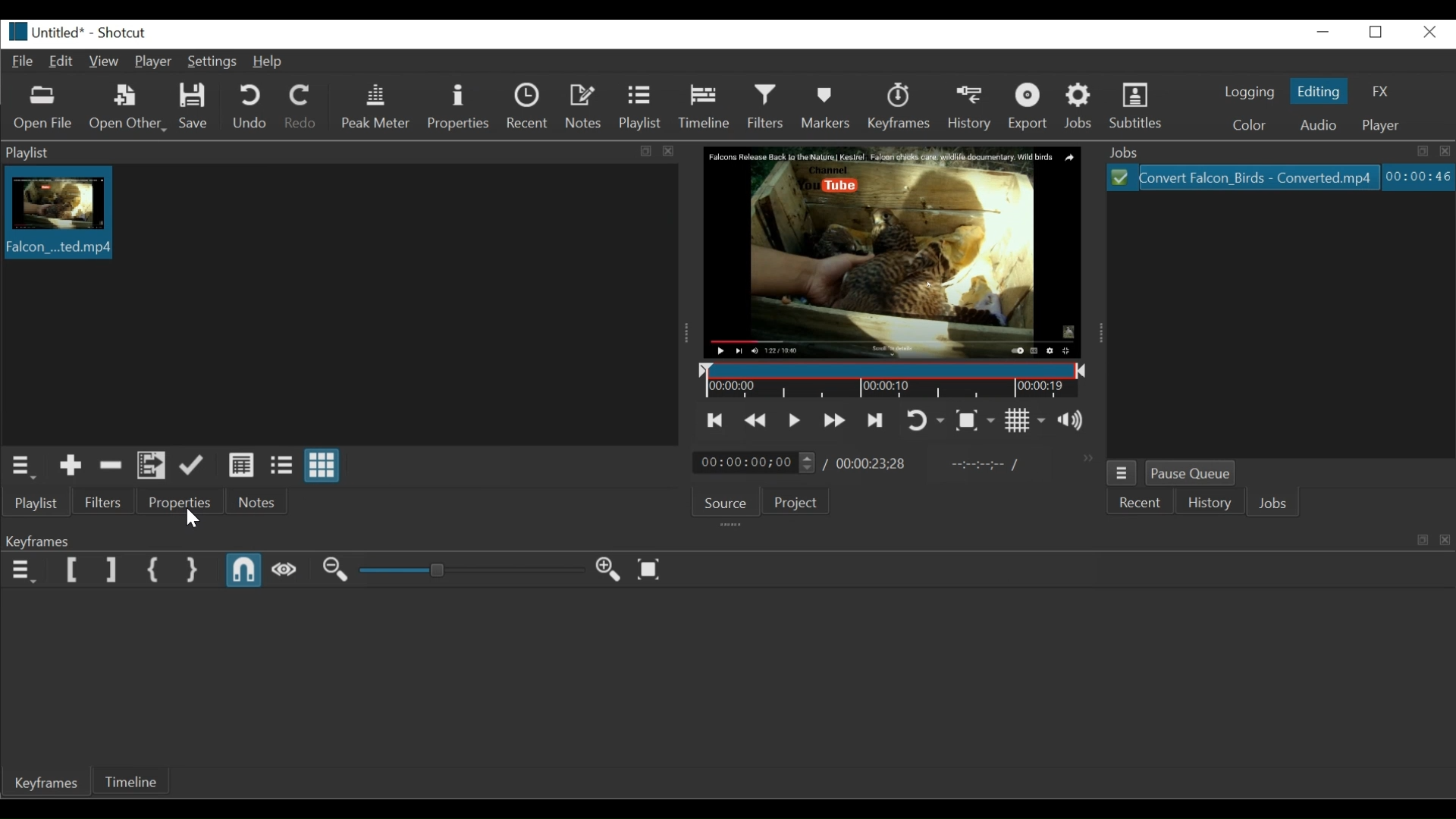 This screenshot has height=819, width=1456. I want to click on Subtitles, so click(1139, 108).